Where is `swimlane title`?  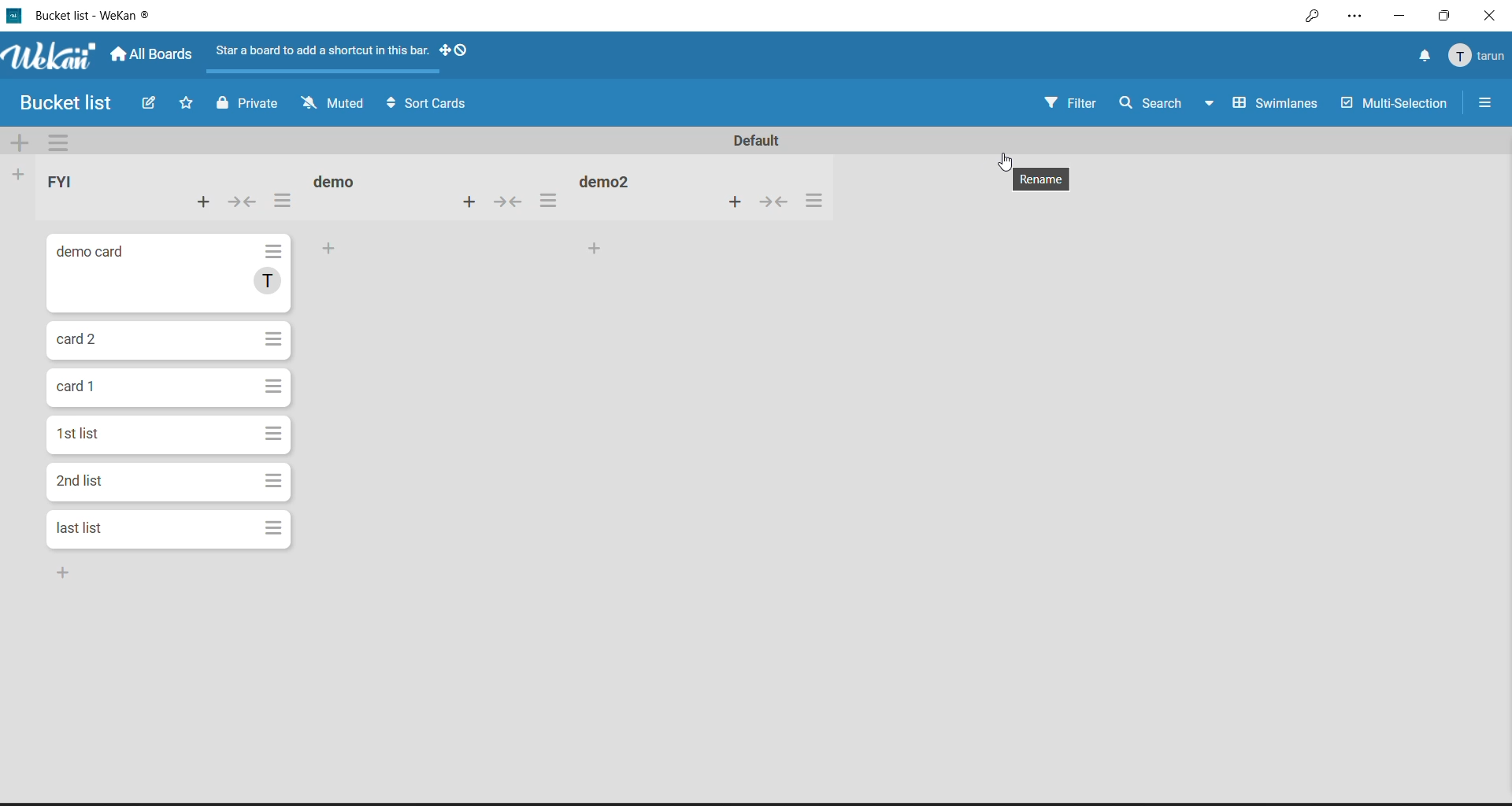 swimlane title is located at coordinates (757, 140).